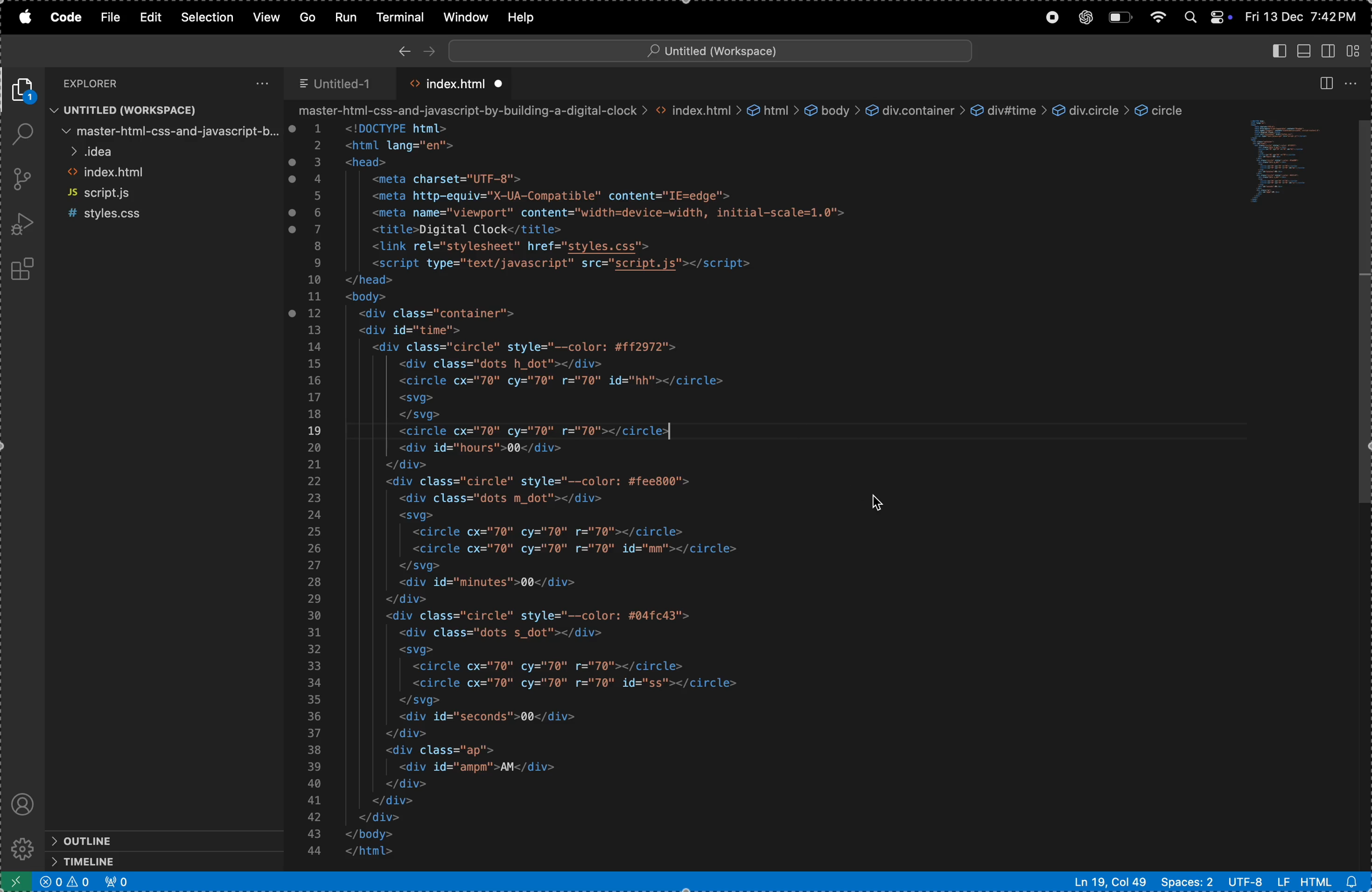 Image resolution: width=1372 pixels, height=892 pixels. Describe the element at coordinates (165, 193) in the screenshot. I see `script.js` at that location.